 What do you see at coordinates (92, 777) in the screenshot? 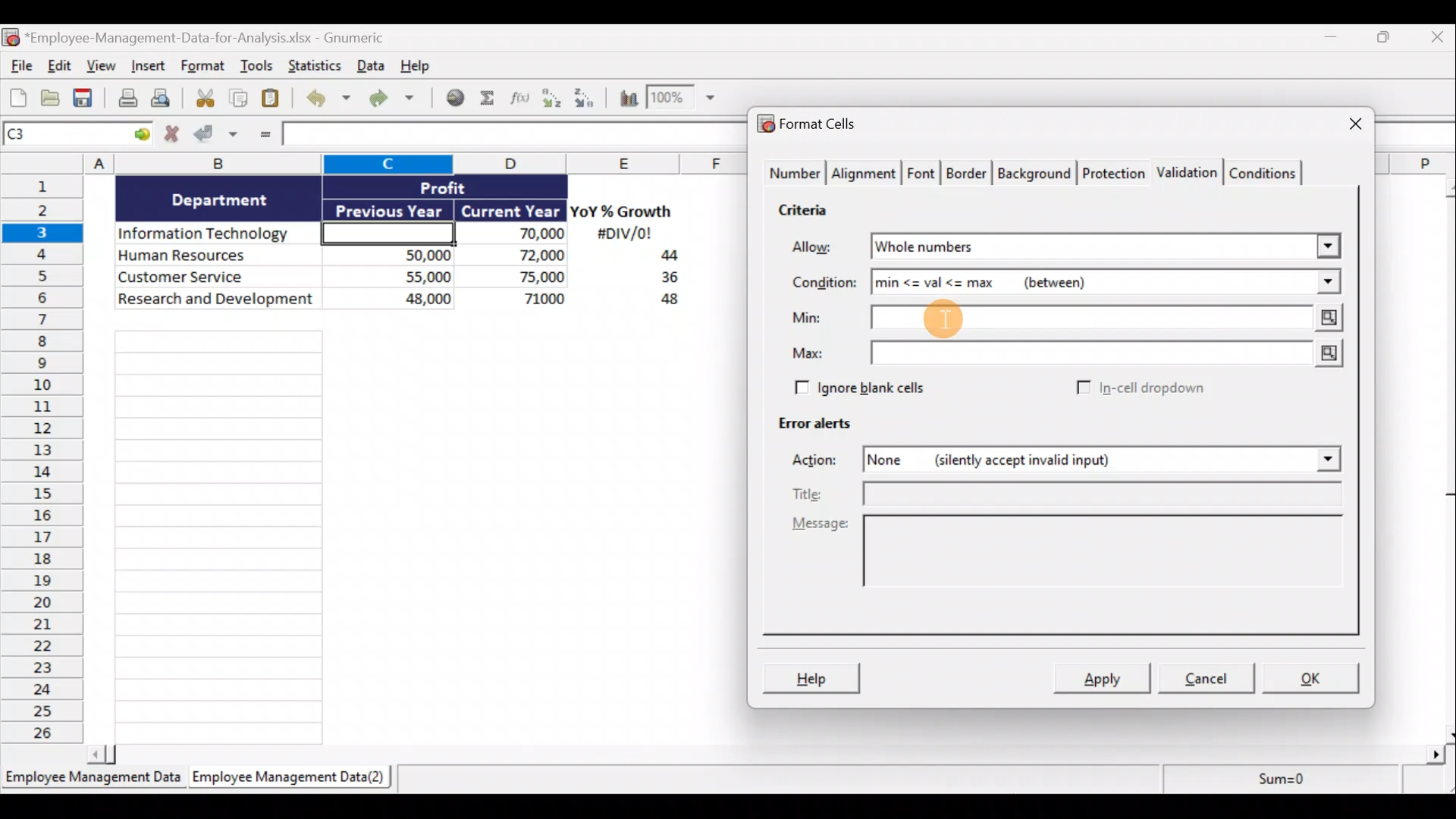
I see `Employee Management Data` at bounding box center [92, 777].